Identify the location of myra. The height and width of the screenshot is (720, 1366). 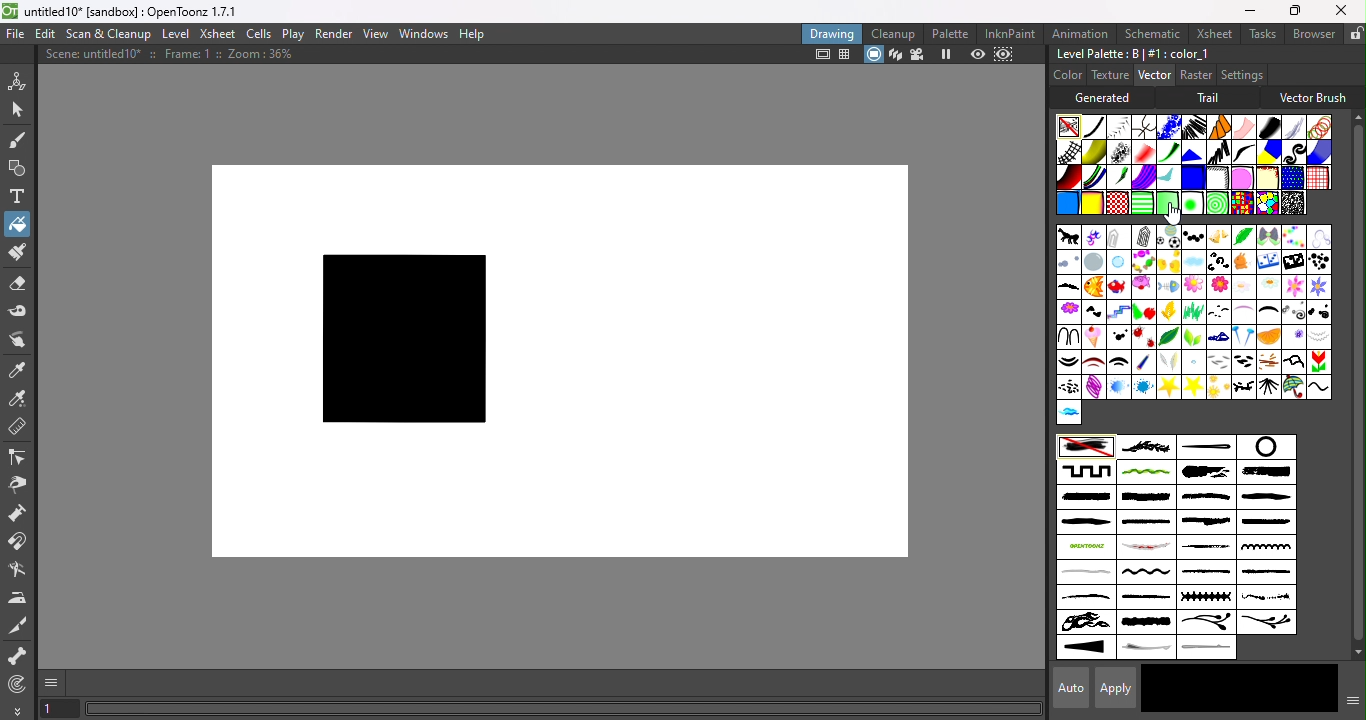
(1218, 336).